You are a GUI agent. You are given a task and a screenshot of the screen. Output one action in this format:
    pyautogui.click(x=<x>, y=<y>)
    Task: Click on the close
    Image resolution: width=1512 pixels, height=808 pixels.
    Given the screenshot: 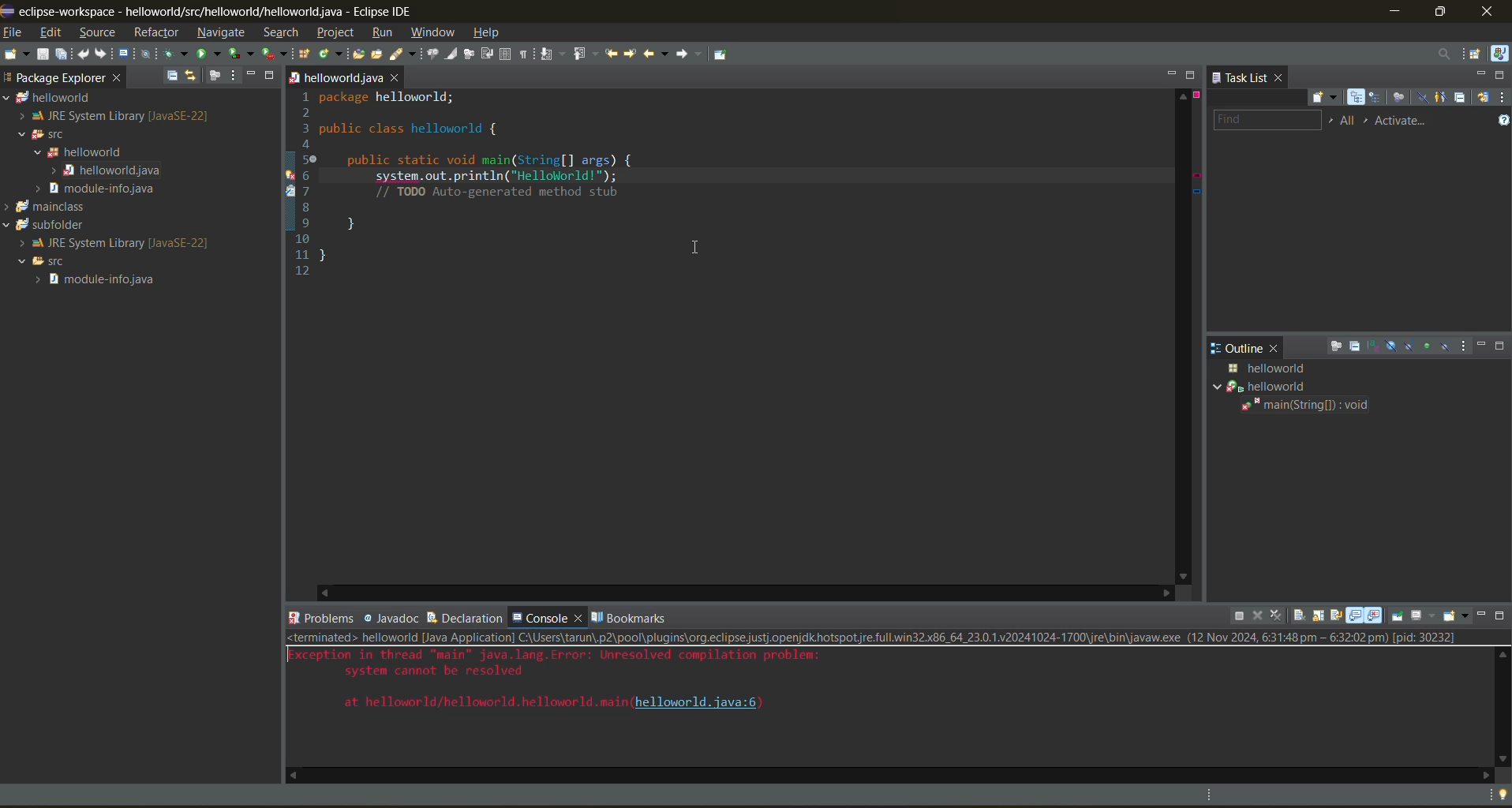 What is the action you would take?
    pyautogui.click(x=1277, y=347)
    